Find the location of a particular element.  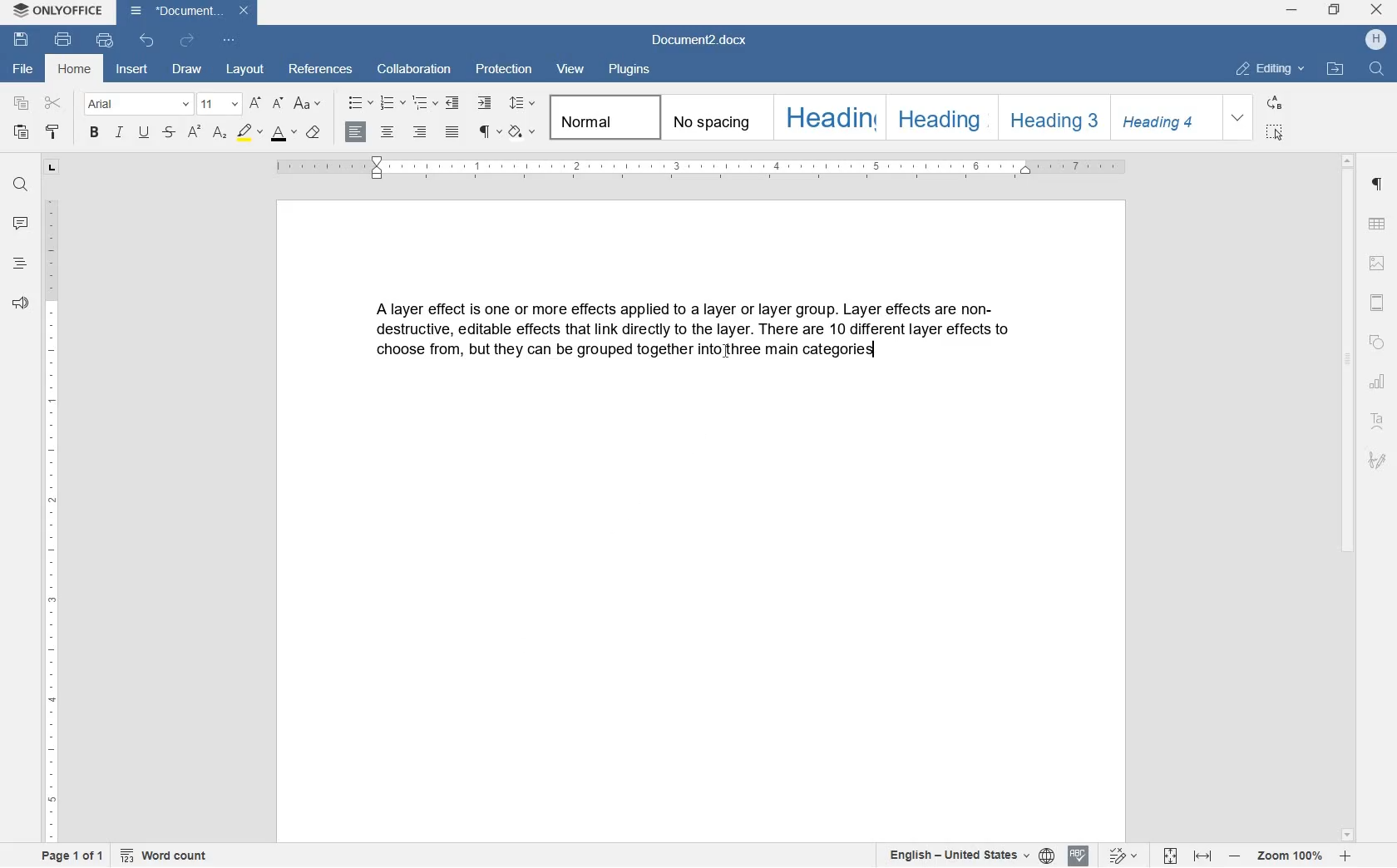

underline is located at coordinates (146, 132).